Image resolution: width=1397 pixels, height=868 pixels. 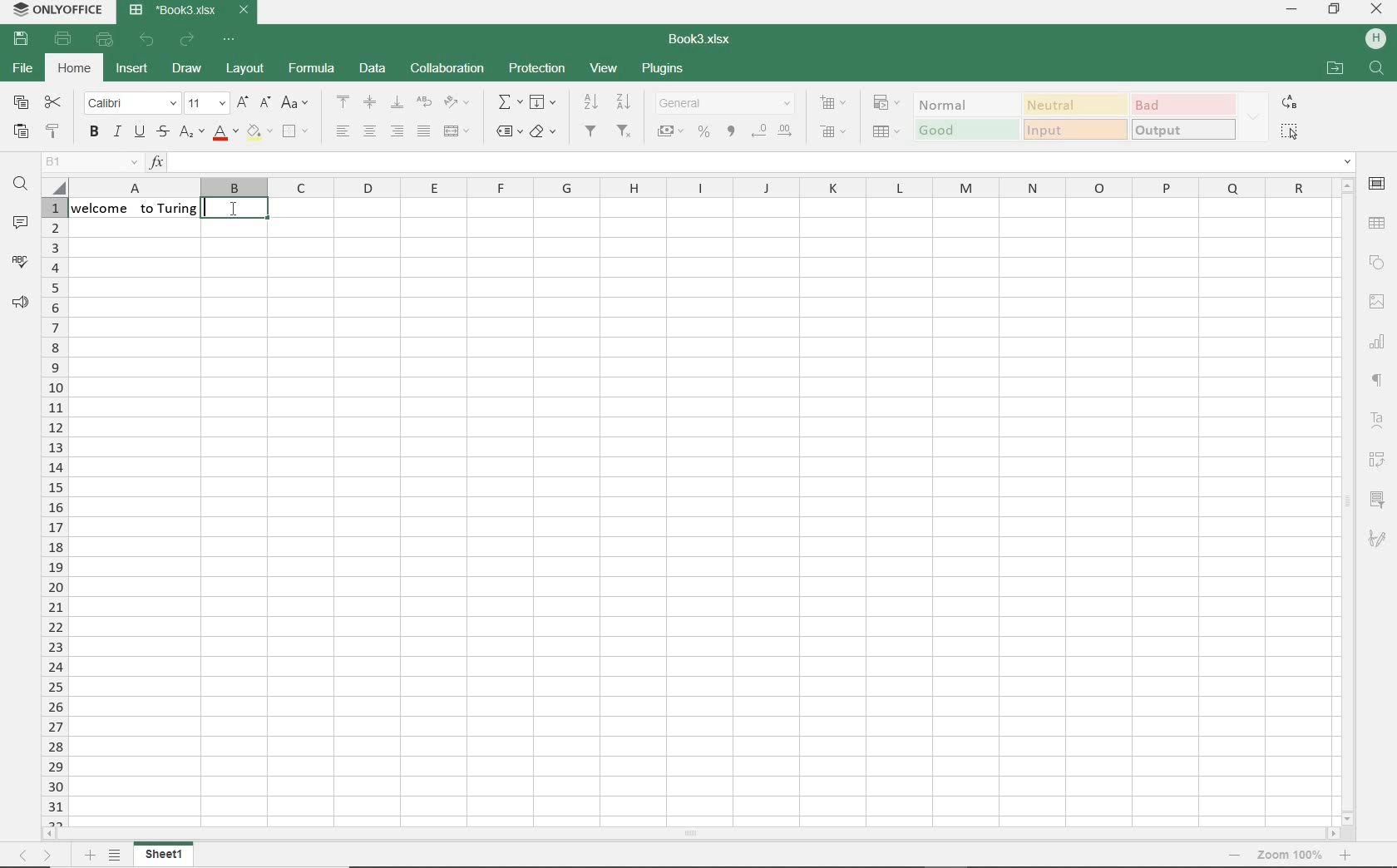 I want to click on fill color, so click(x=259, y=134).